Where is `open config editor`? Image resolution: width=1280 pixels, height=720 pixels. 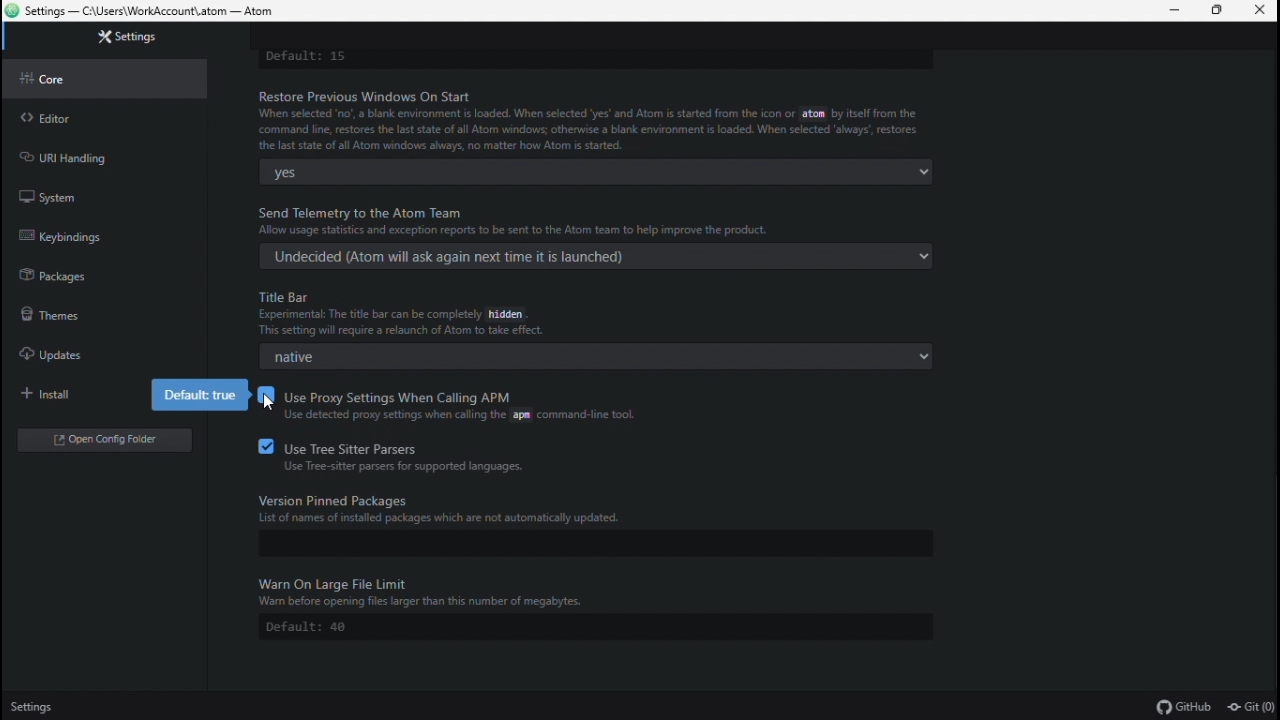 open config editor is located at coordinates (103, 439).